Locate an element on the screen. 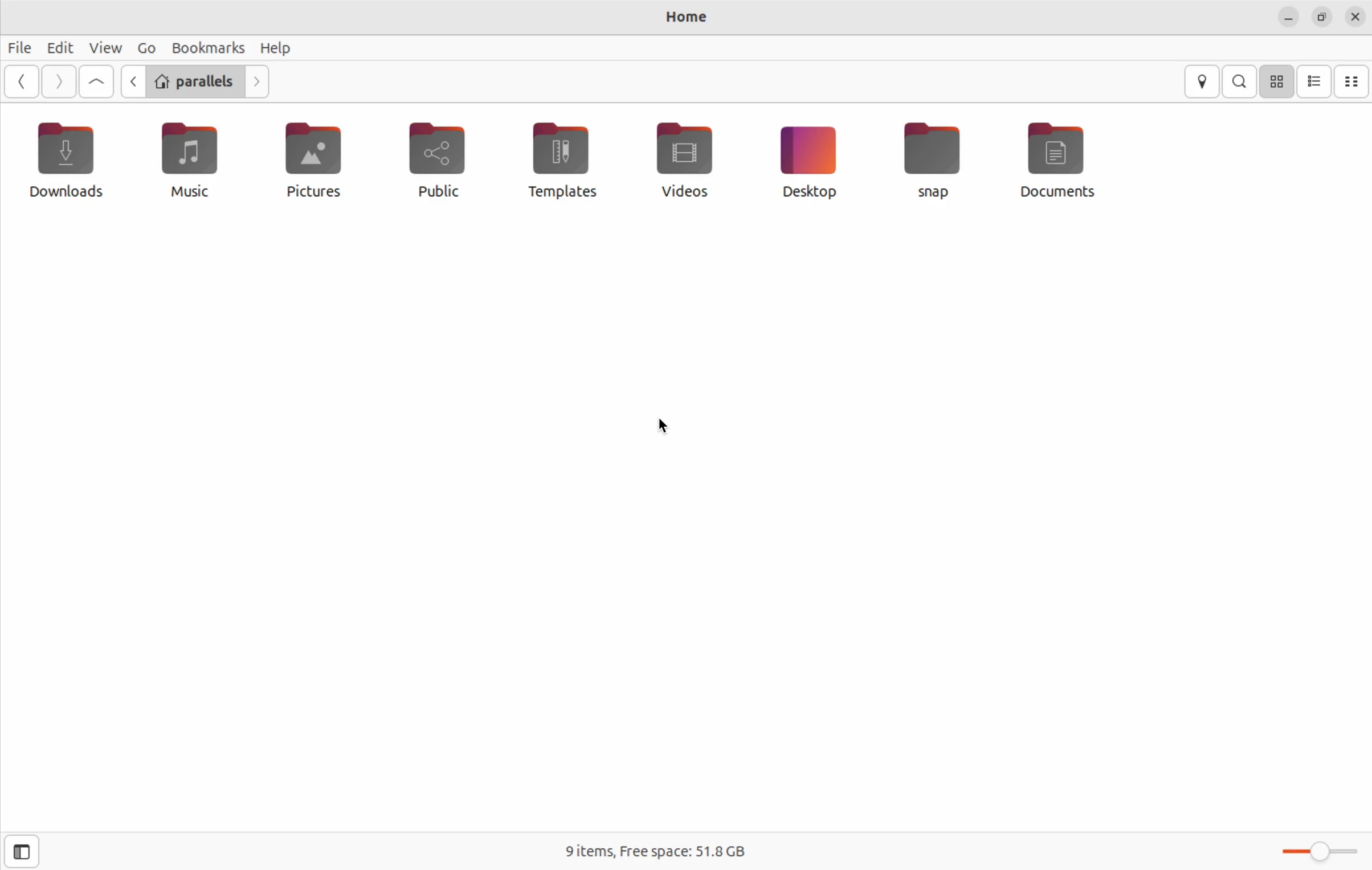  icon view is located at coordinates (1278, 82).